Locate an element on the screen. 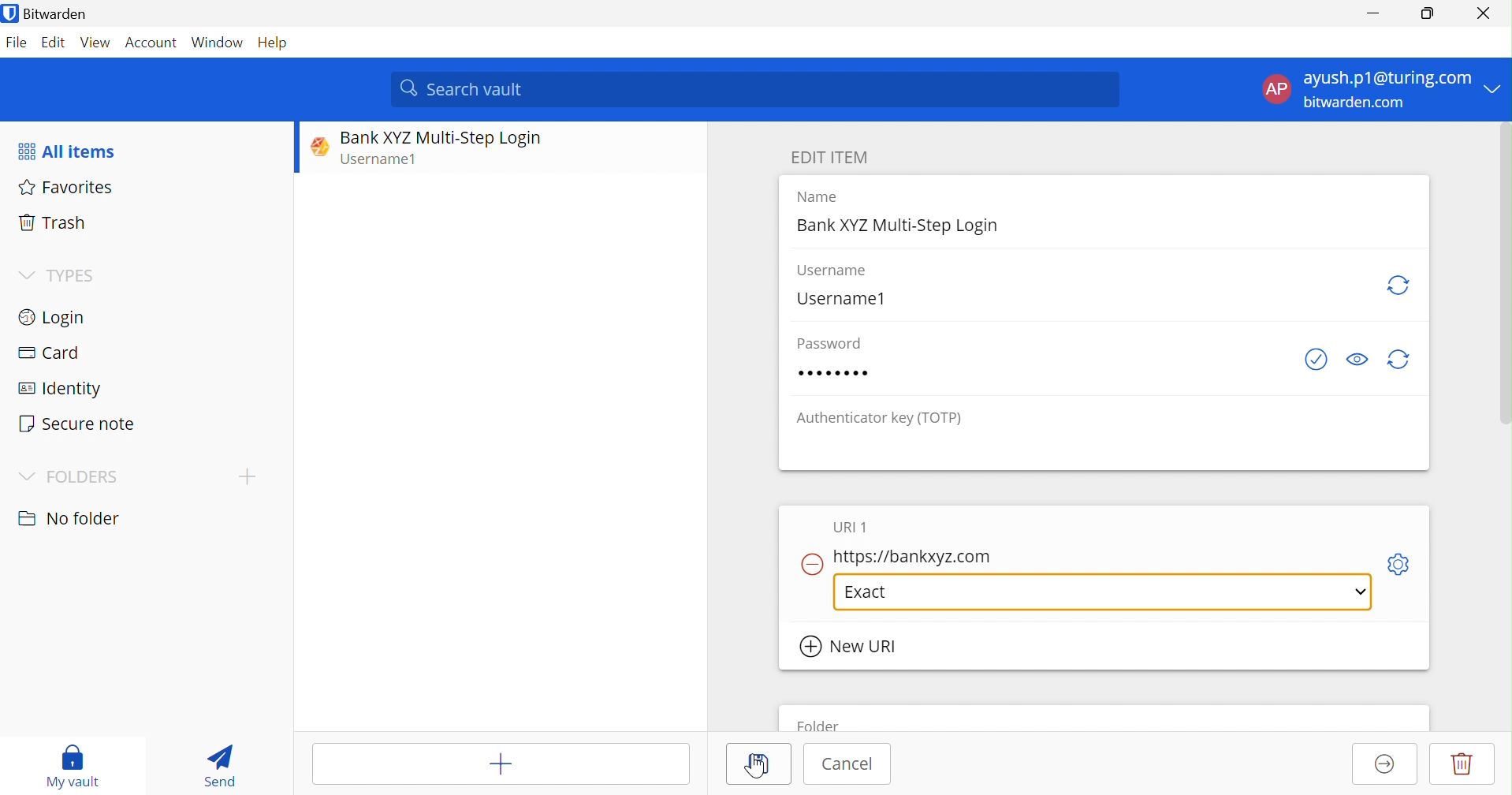 The width and height of the screenshot is (1512, 795). EDIT ITEM is located at coordinates (833, 158).